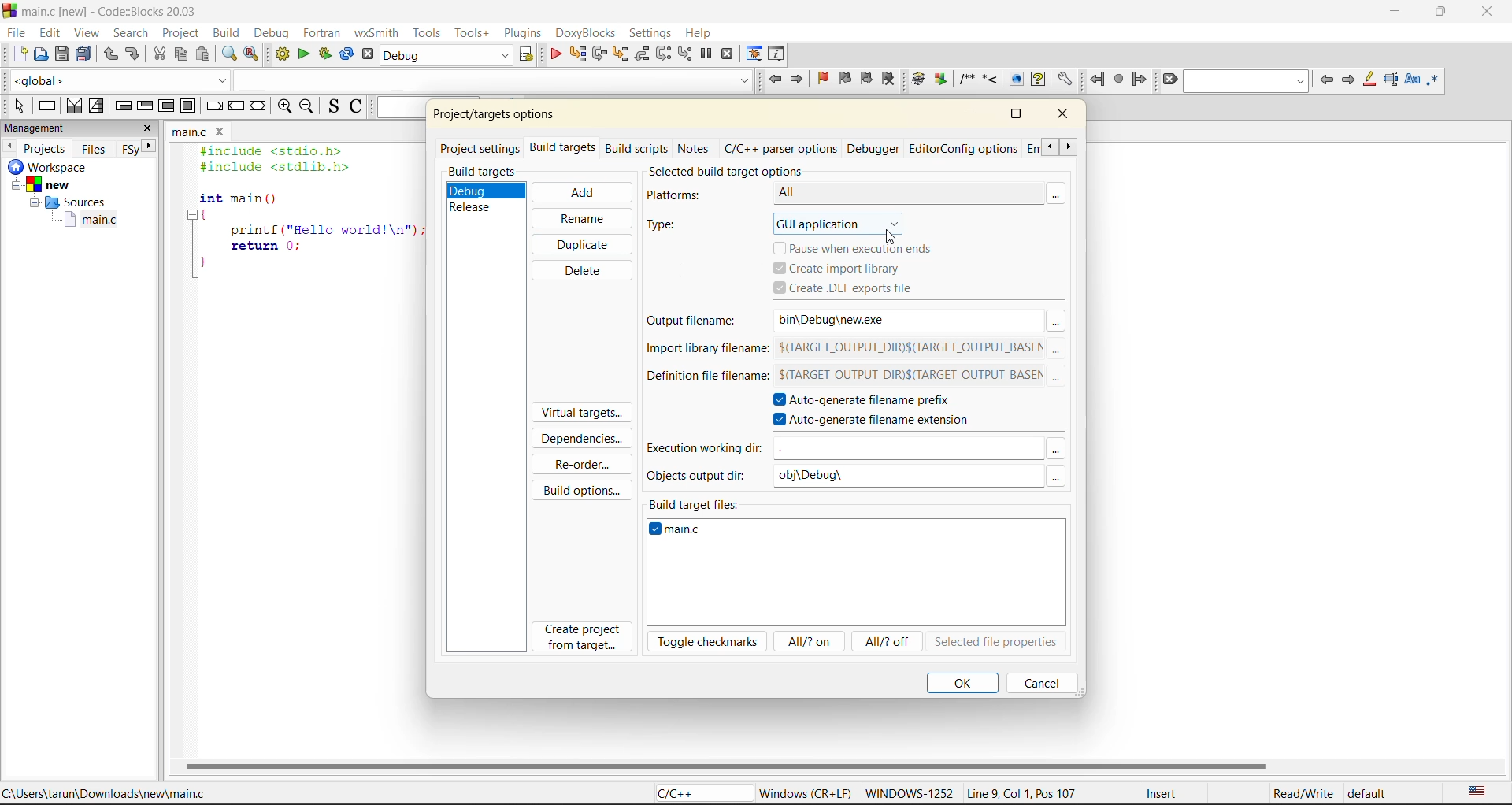  Describe the element at coordinates (909, 448) in the screenshot. I see `` at that location.